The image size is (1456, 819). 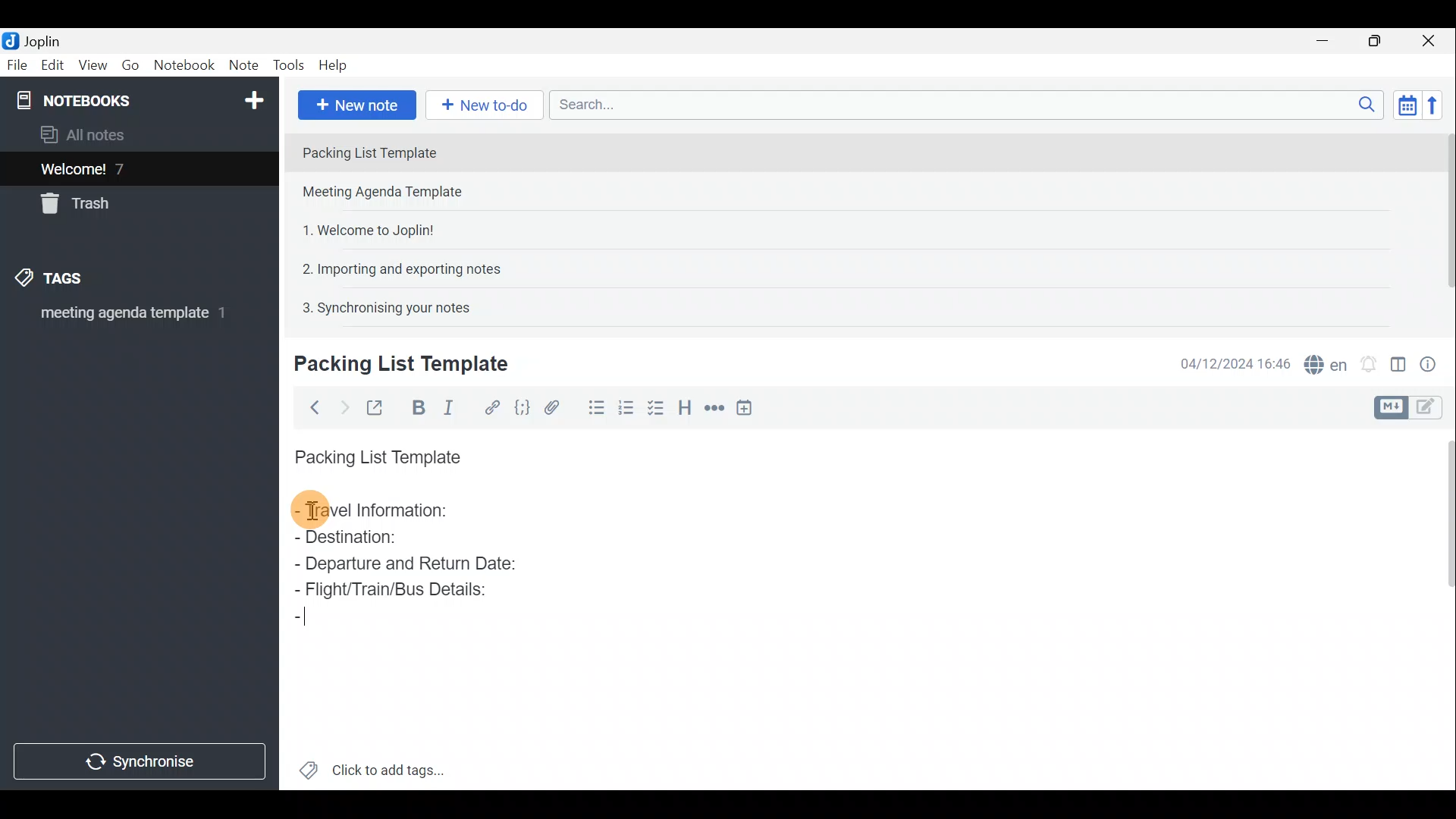 What do you see at coordinates (81, 206) in the screenshot?
I see `Trash` at bounding box center [81, 206].